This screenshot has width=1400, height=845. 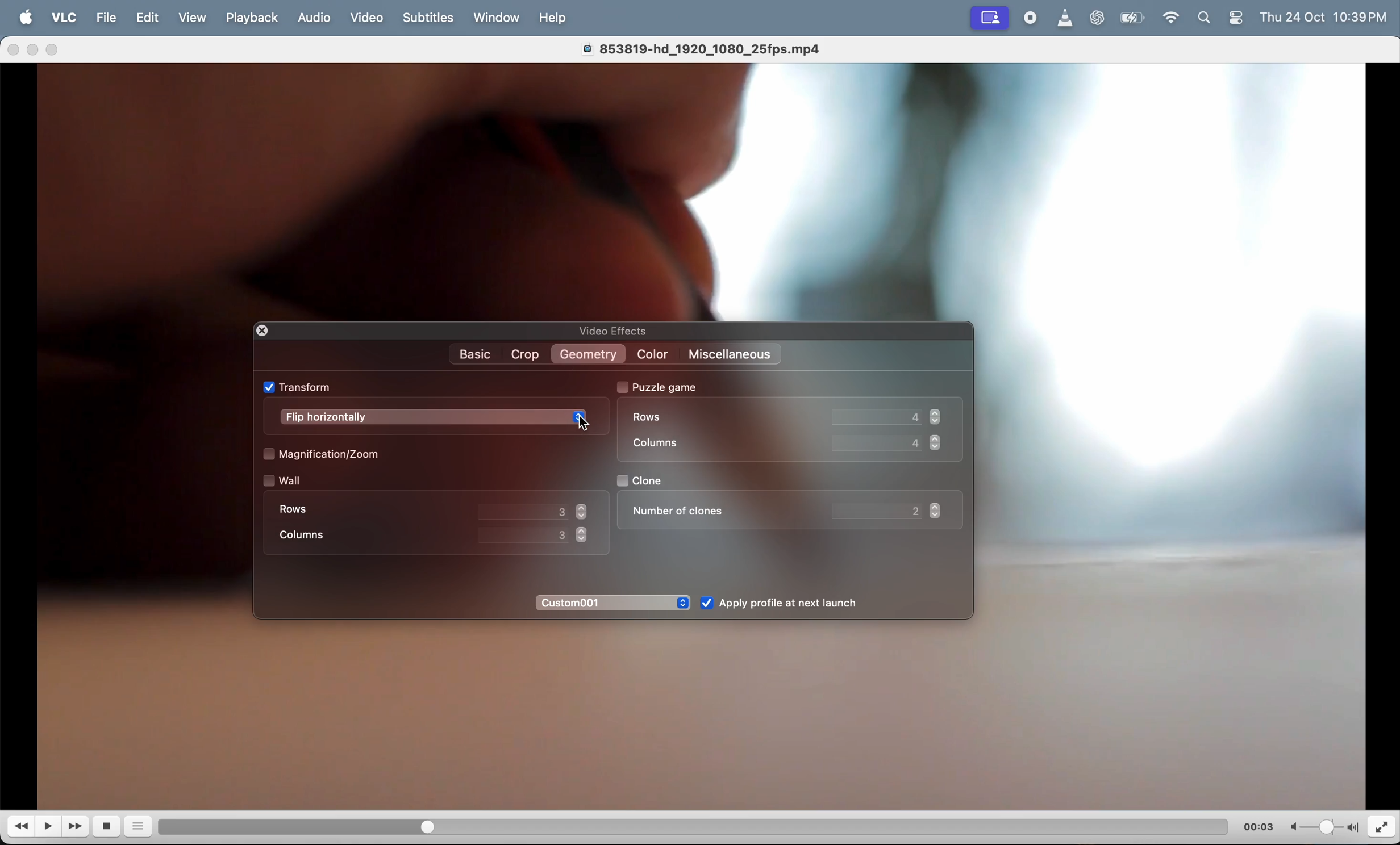 I want to click on check box, so click(x=622, y=480).